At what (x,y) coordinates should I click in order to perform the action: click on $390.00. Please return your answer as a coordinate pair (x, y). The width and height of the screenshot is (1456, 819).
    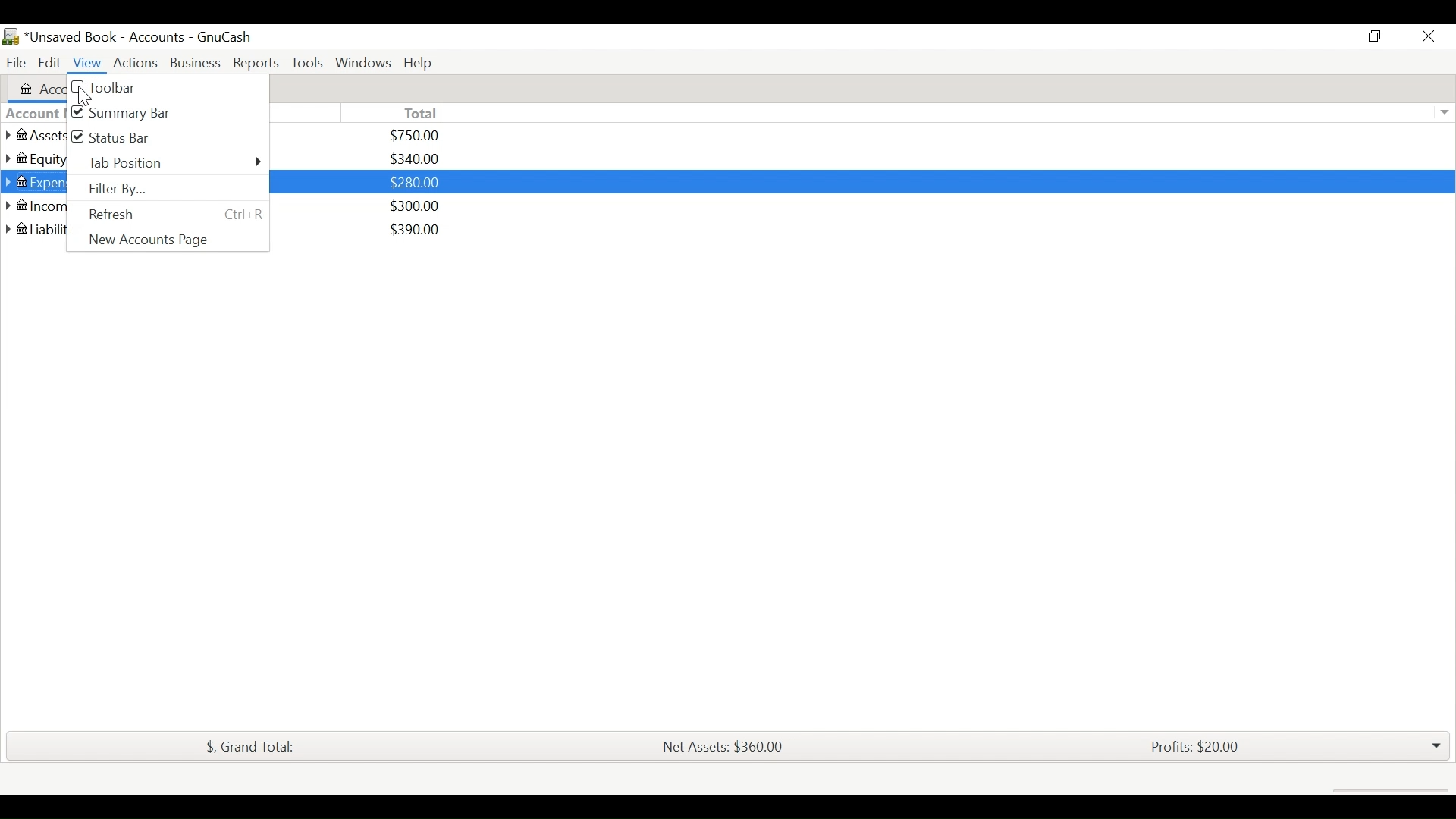
    Looking at the image, I should click on (417, 230).